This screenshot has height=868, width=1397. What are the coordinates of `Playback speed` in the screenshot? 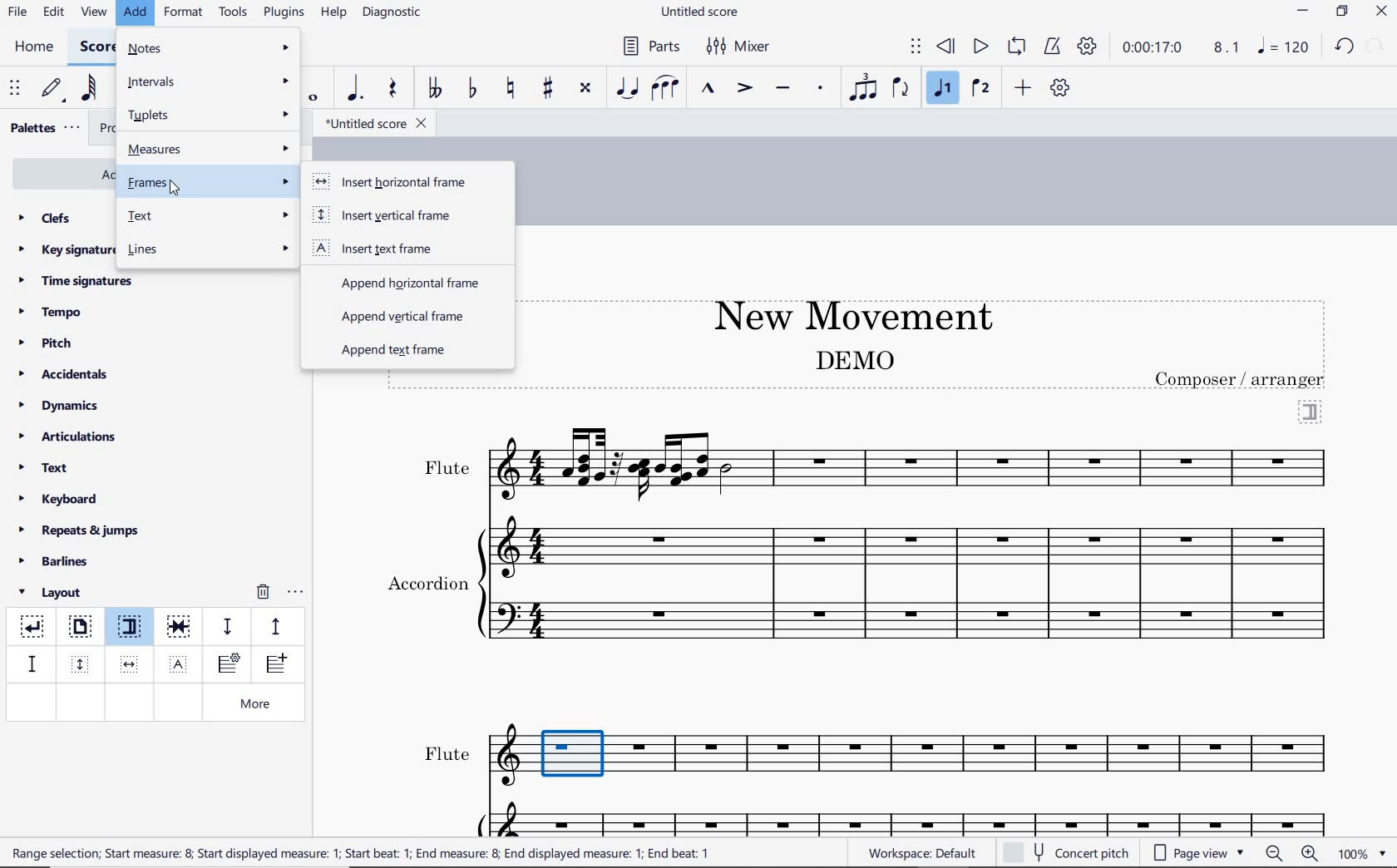 It's located at (1228, 48).